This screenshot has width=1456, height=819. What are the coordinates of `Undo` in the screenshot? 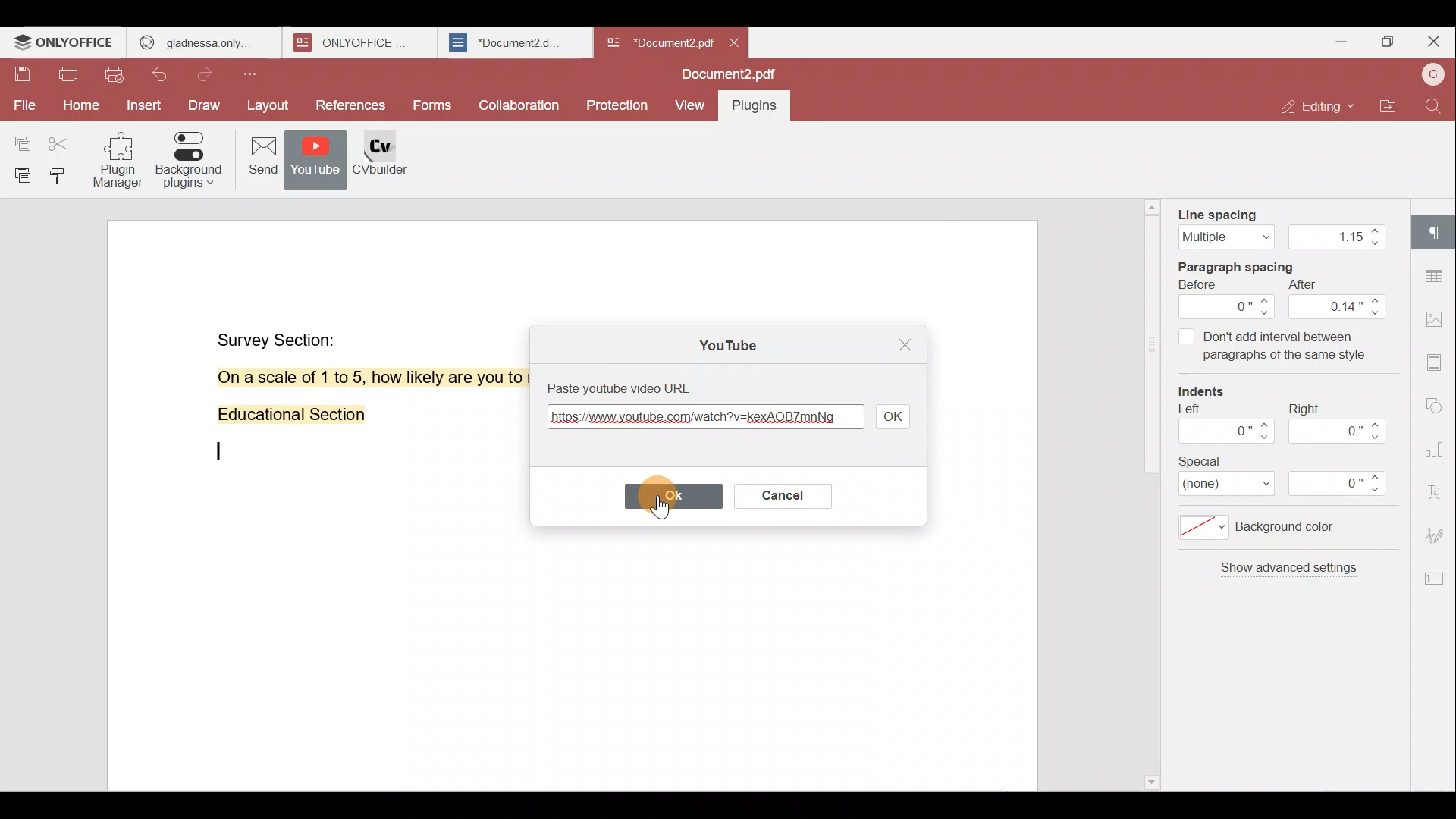 It's located at (168, 77).